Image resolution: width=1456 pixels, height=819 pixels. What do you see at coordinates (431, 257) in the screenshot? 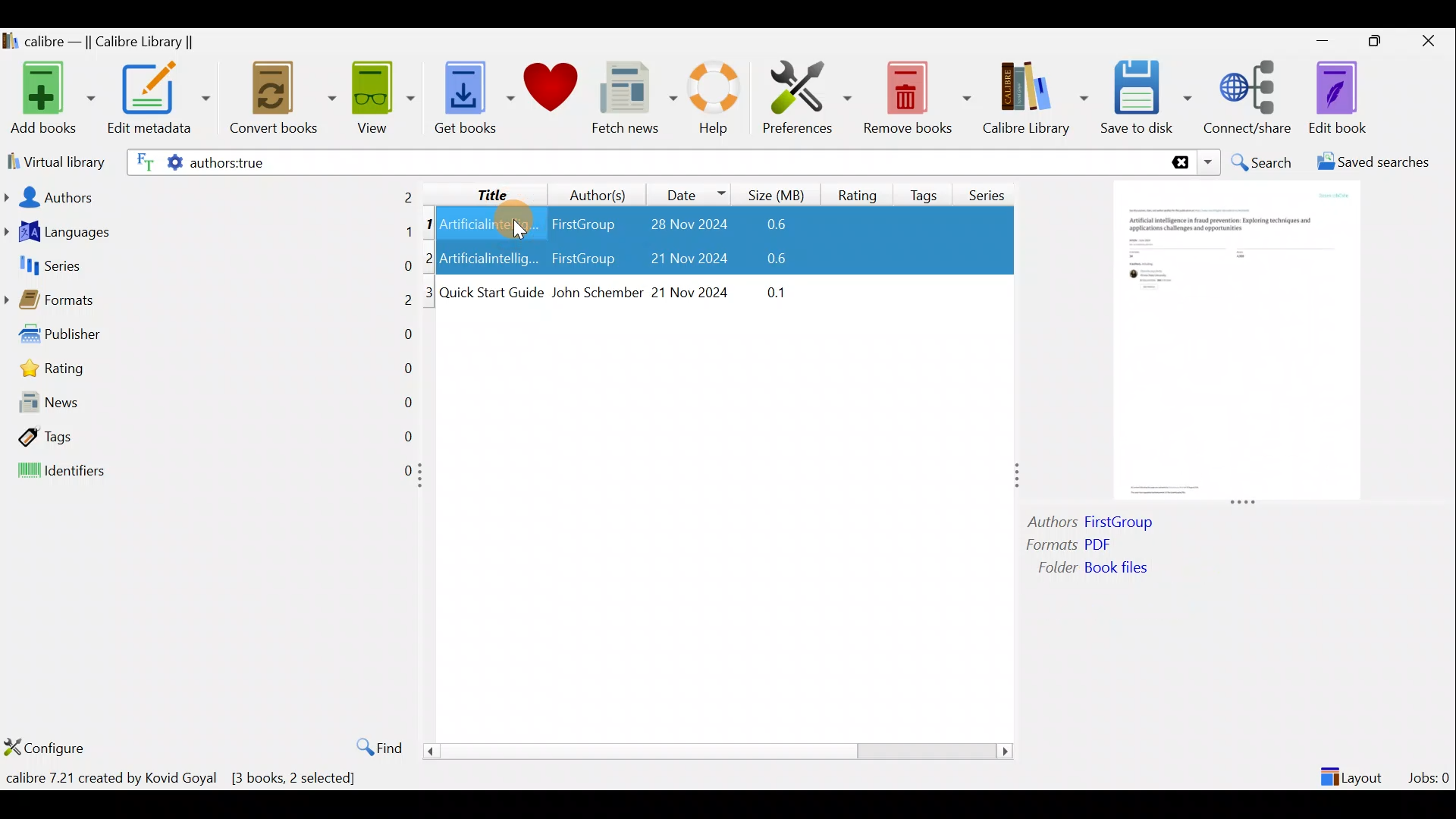
I see `2` at bounding box center [431, 257].